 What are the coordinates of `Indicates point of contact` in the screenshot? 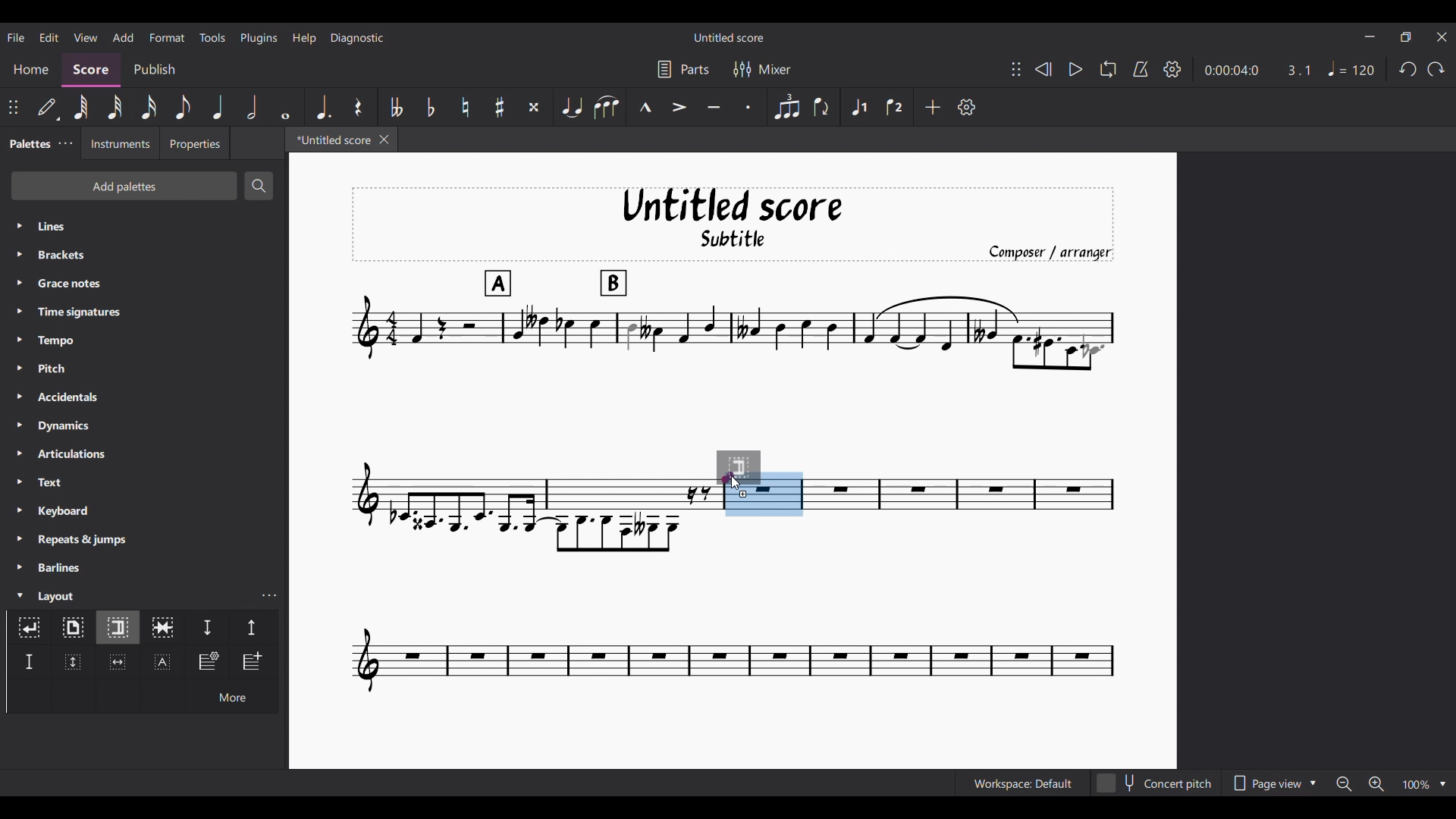 It's located at (728, 477).